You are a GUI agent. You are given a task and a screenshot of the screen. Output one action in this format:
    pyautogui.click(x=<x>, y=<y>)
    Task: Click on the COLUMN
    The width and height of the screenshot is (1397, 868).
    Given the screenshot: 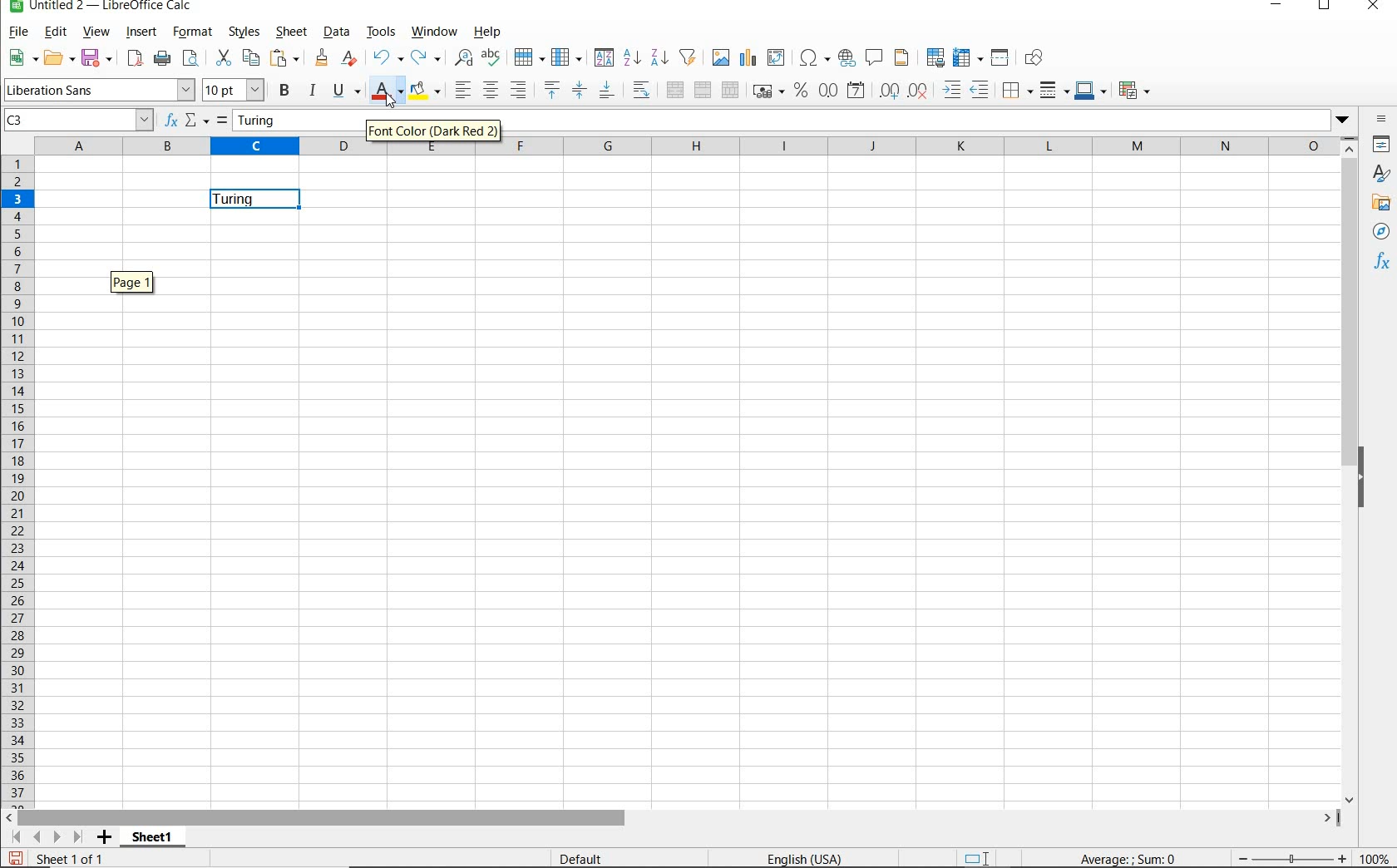 What is the action you would take?
    pyautogui.click(x=566, y=56)
    